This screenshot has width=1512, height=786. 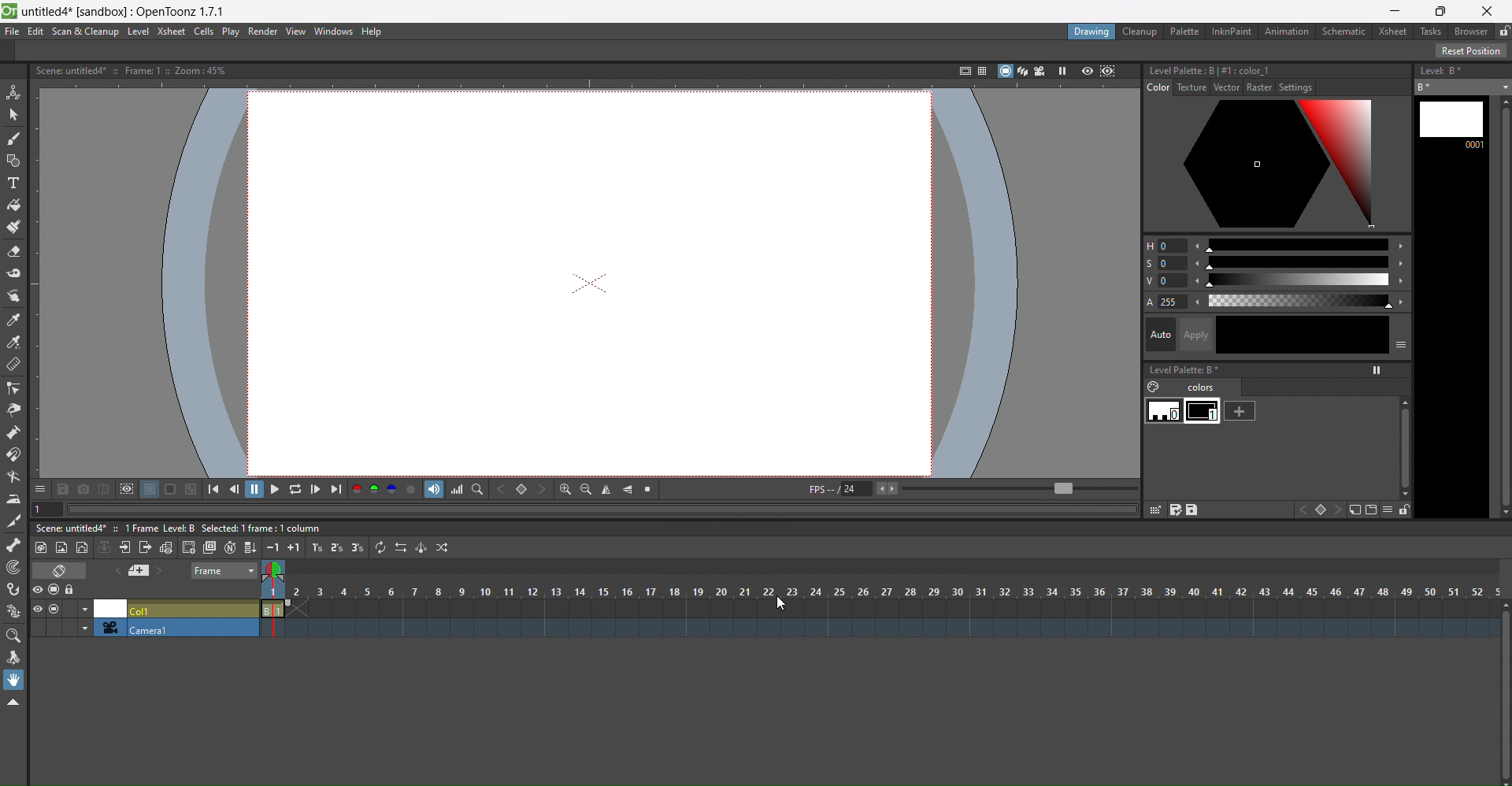 What do you see at coordinates (648, 490) in the screenshot?
I see `` at bounding box center [648, 490].